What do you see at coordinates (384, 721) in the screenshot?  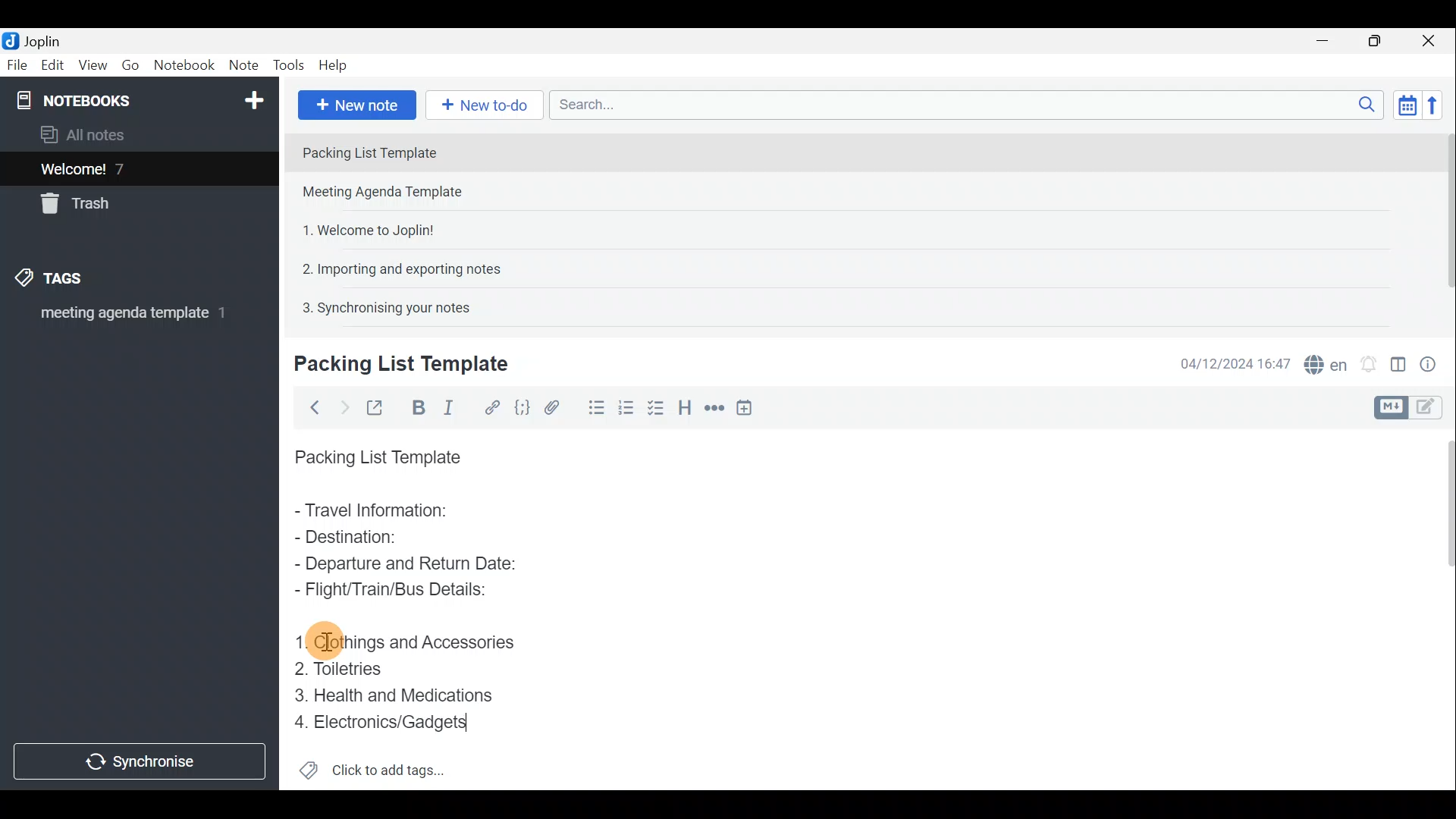 I see `Electronics/Gadgets` at bounding box center [384, 721].